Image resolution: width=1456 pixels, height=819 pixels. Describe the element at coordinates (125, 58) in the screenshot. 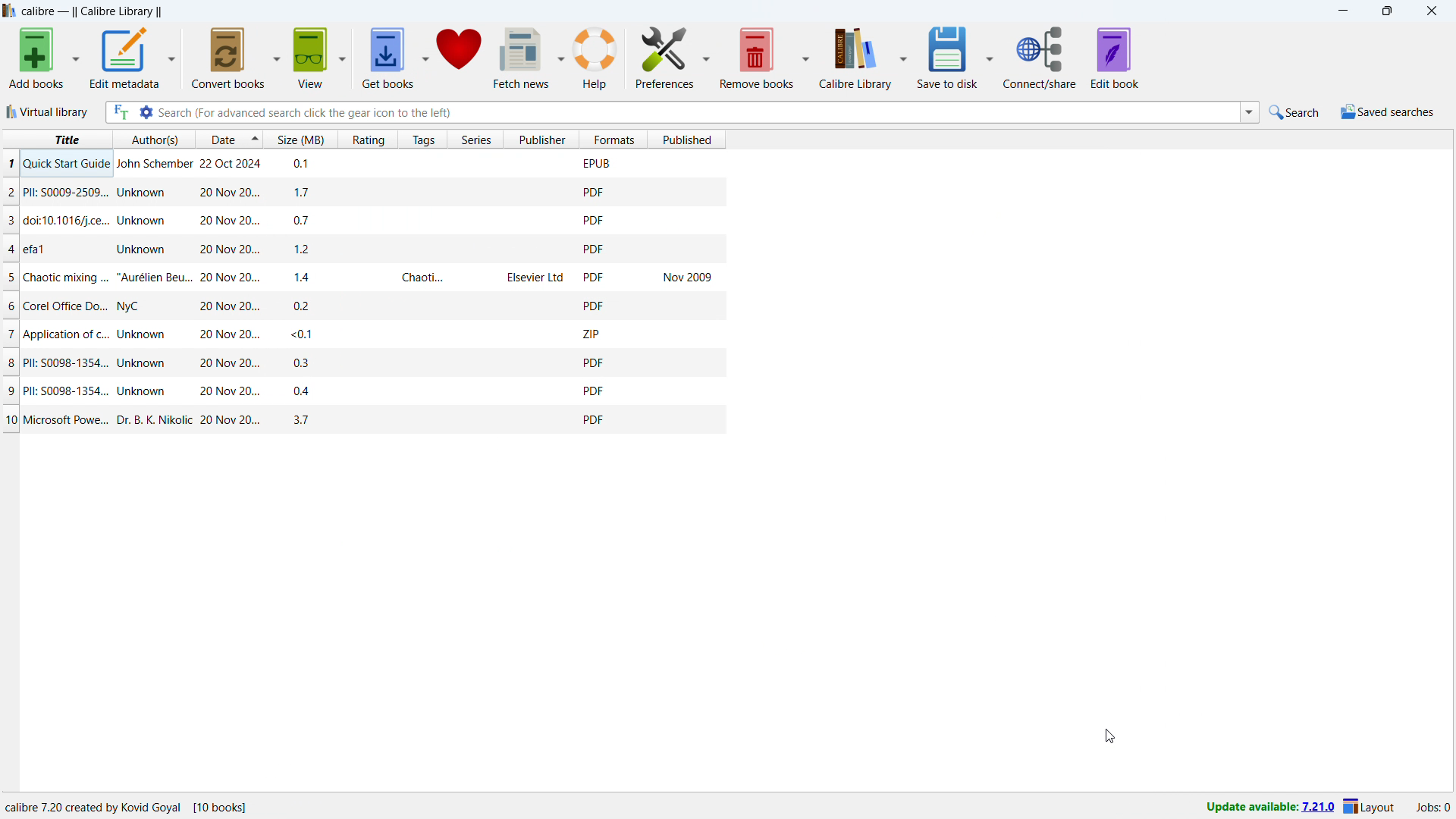

I see `edit metadata` at that location.